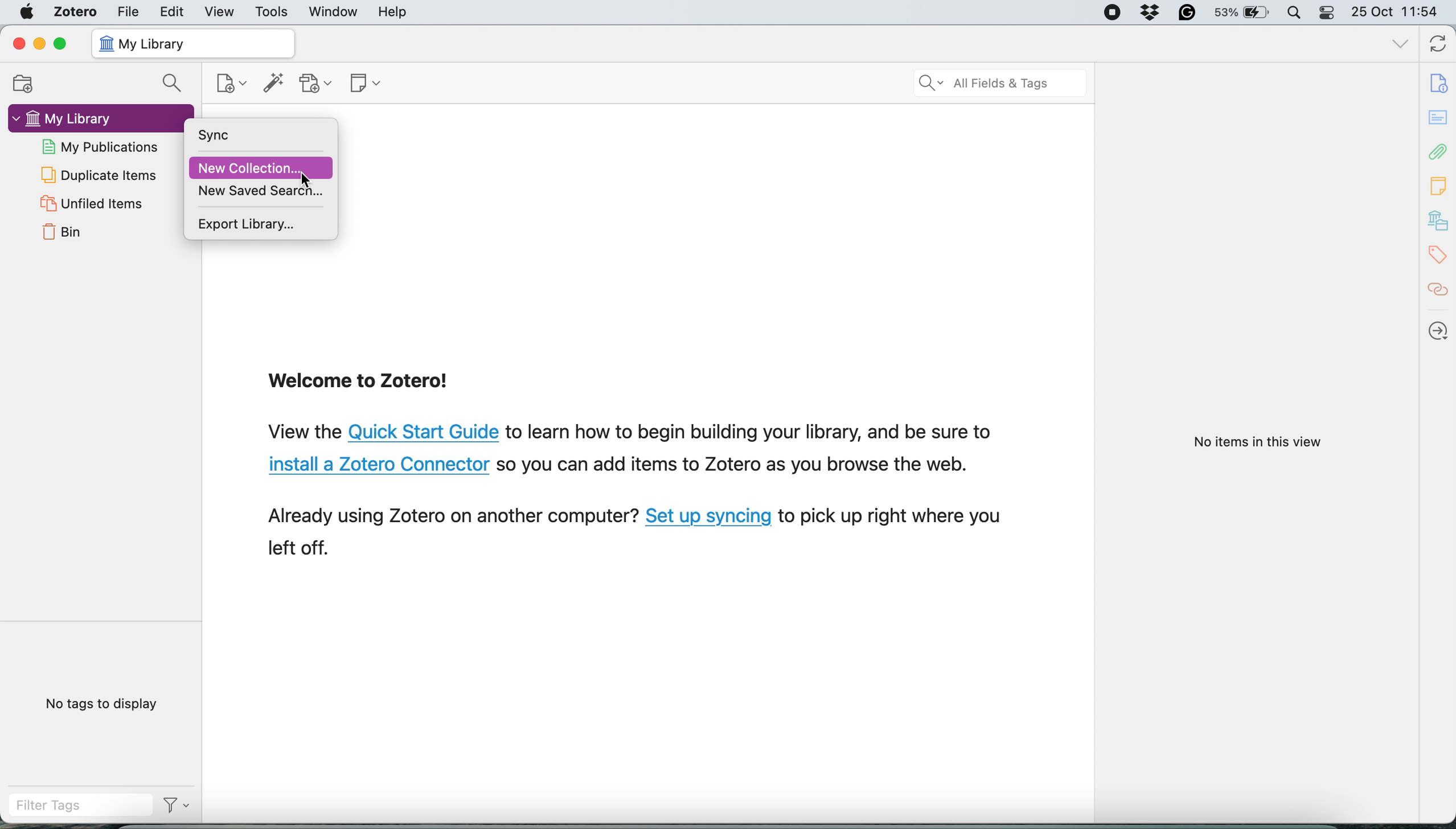  Describe the element at coordinates (126, 11) in the screenshot. I see `file` at that location.